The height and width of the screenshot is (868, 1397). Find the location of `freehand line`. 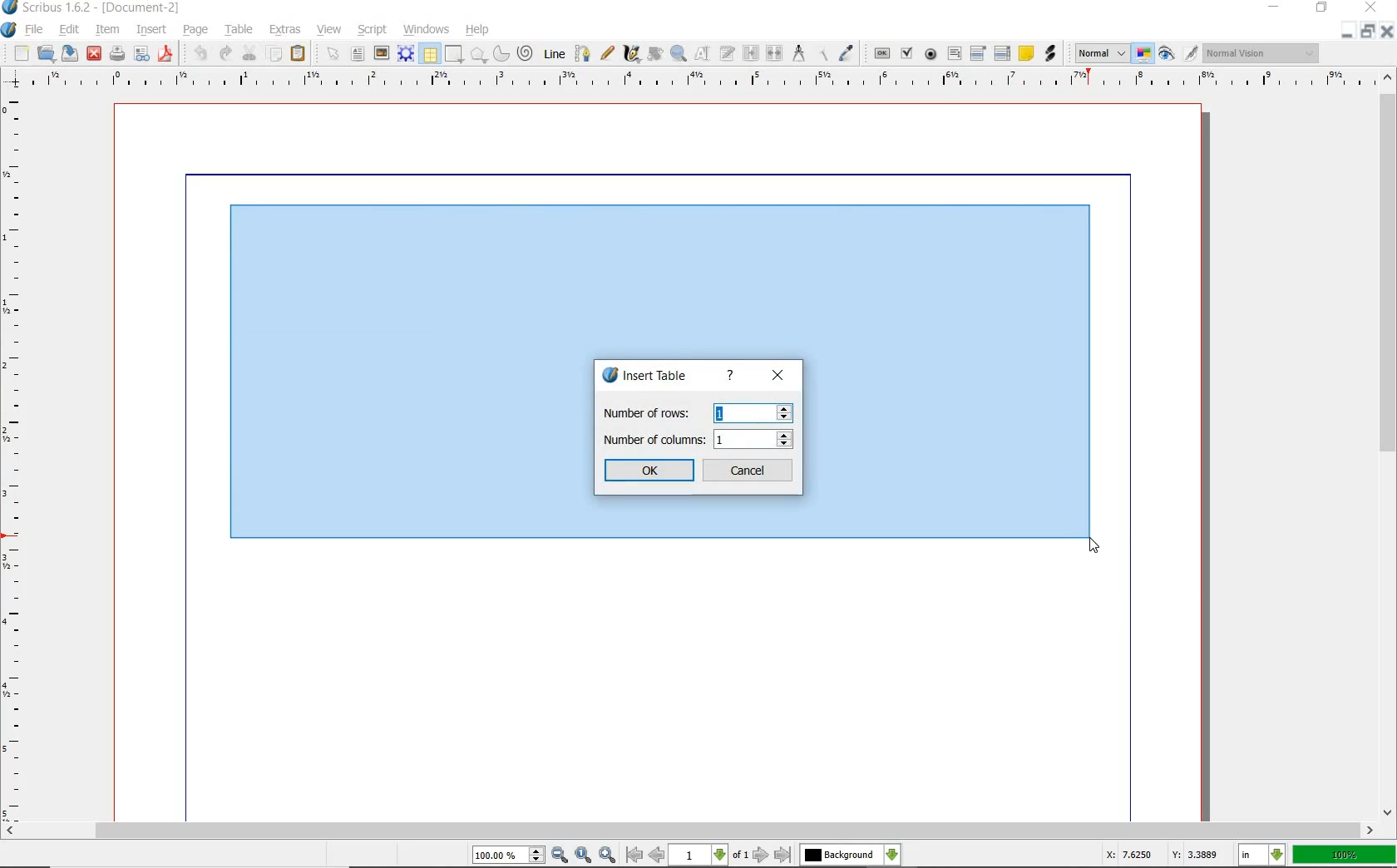

freehand line is located at coordinates (608, 54).